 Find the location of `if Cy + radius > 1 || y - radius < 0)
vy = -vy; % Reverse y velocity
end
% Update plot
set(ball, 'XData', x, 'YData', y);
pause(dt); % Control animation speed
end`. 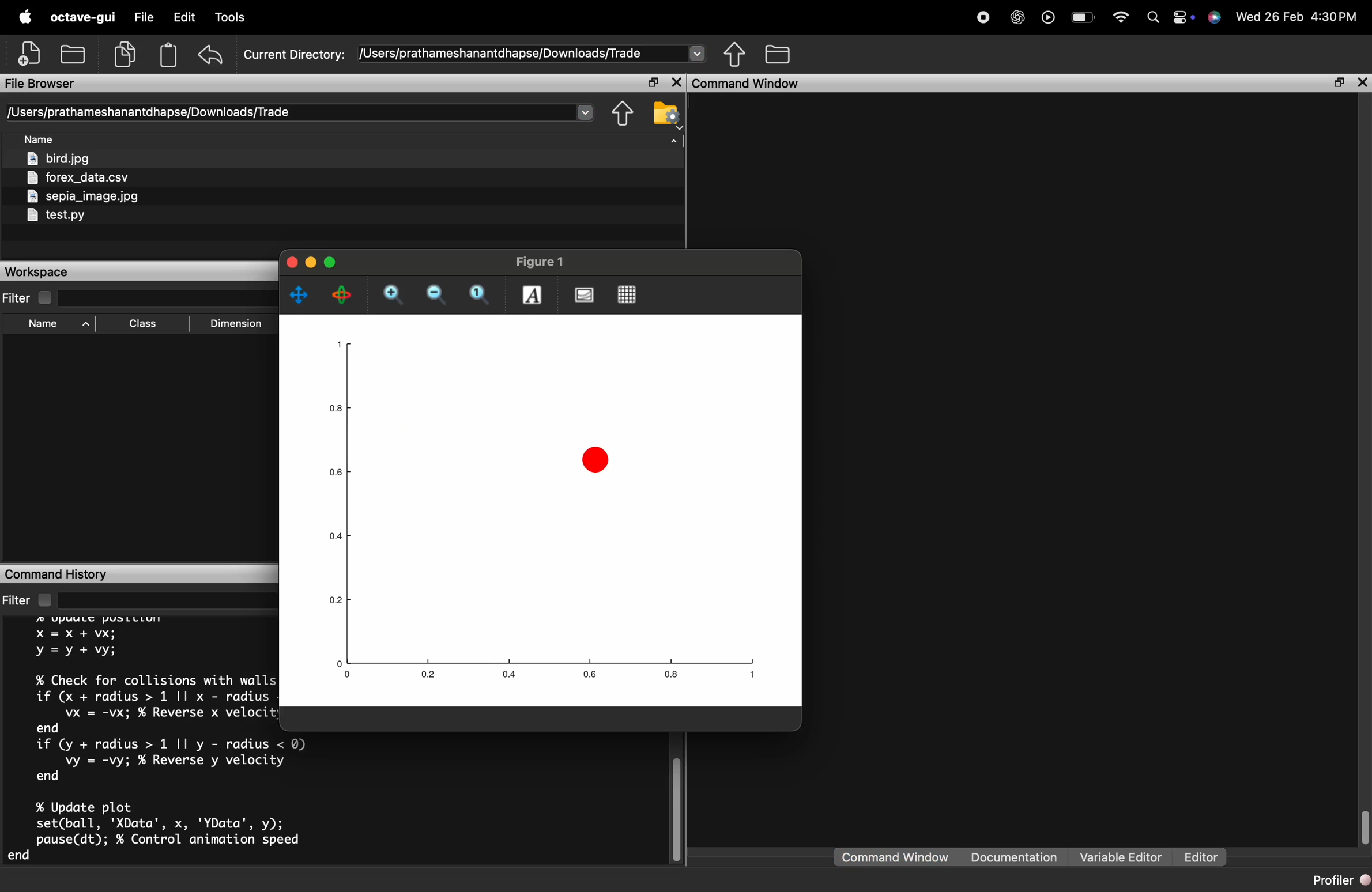

if Cy + radius > 1 || y - radius < 0)
vy = -vy; % Reverse y velocity
end
% Update plot
set(ball, 'XData', x, 'YData', y);
pause(dt); % Control animation speed
end is located at coordinates (153, 799).